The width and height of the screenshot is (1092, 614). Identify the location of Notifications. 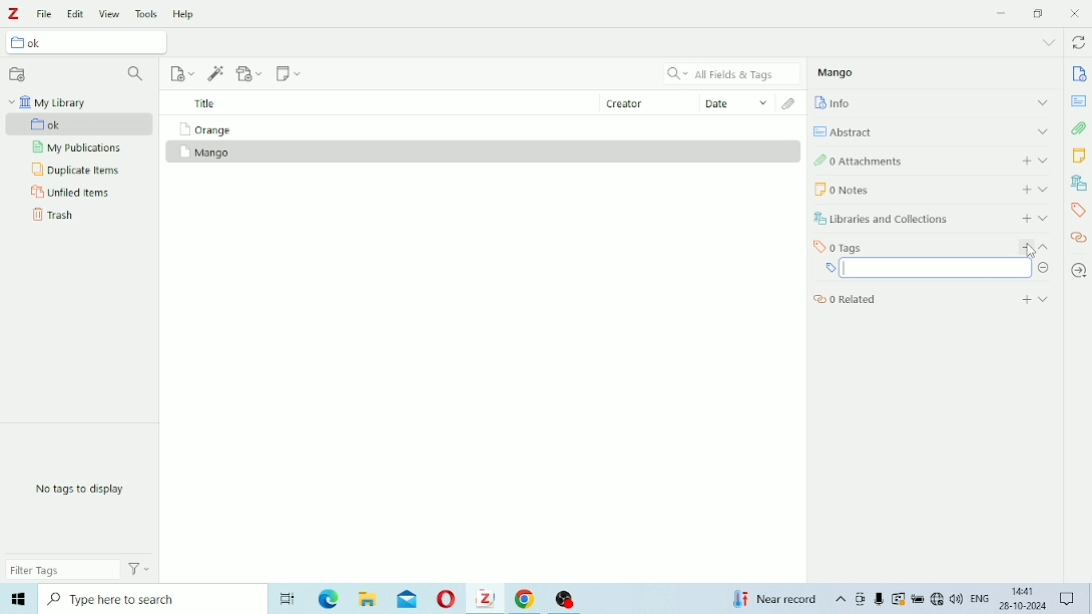
(1069, 598).